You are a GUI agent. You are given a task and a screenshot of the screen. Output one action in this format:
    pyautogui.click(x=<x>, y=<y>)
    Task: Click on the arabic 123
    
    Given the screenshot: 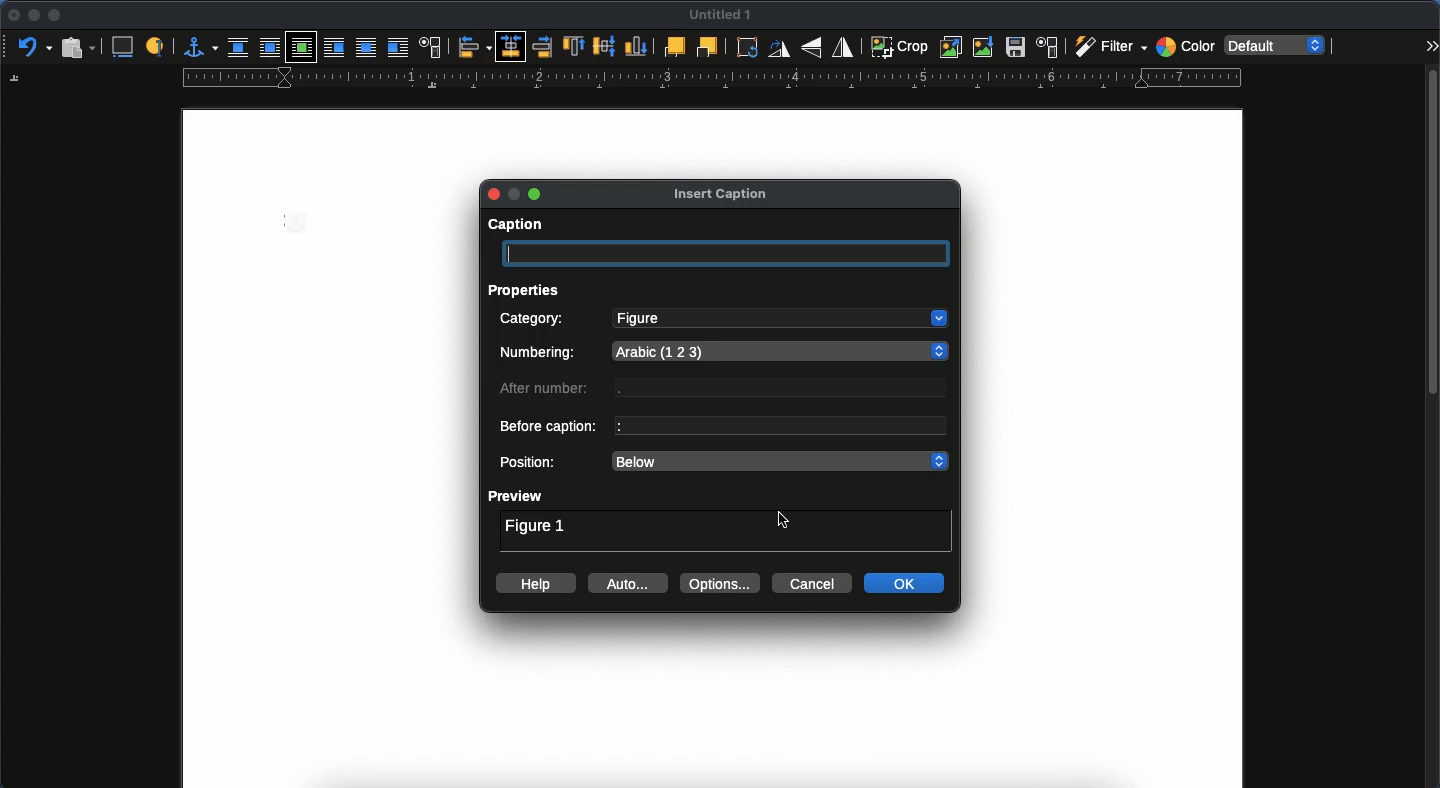 What is the action you would take?
    pyautogui.click(x=785, y=349)
    